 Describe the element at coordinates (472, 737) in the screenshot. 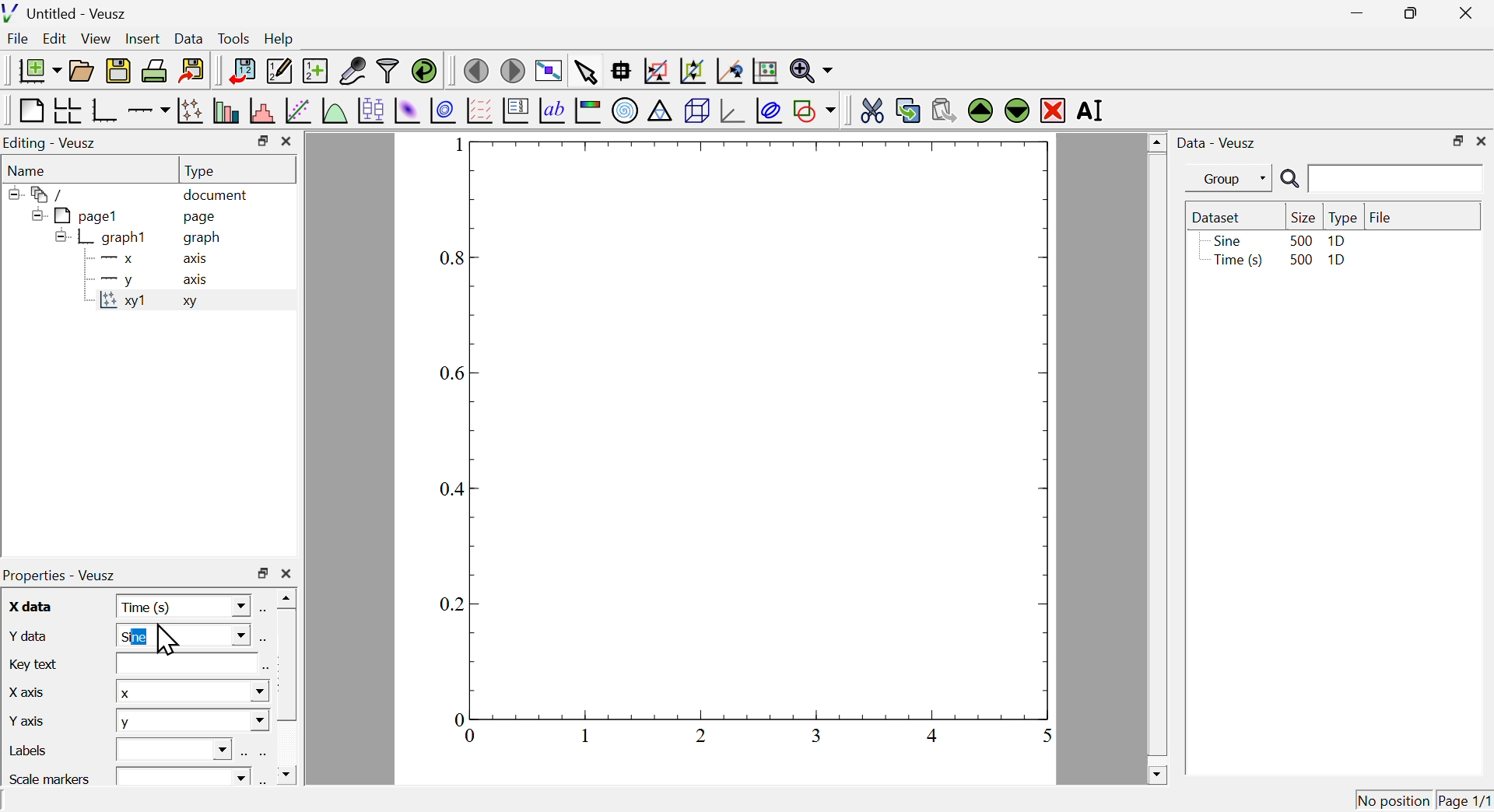

I see `0` at that location.